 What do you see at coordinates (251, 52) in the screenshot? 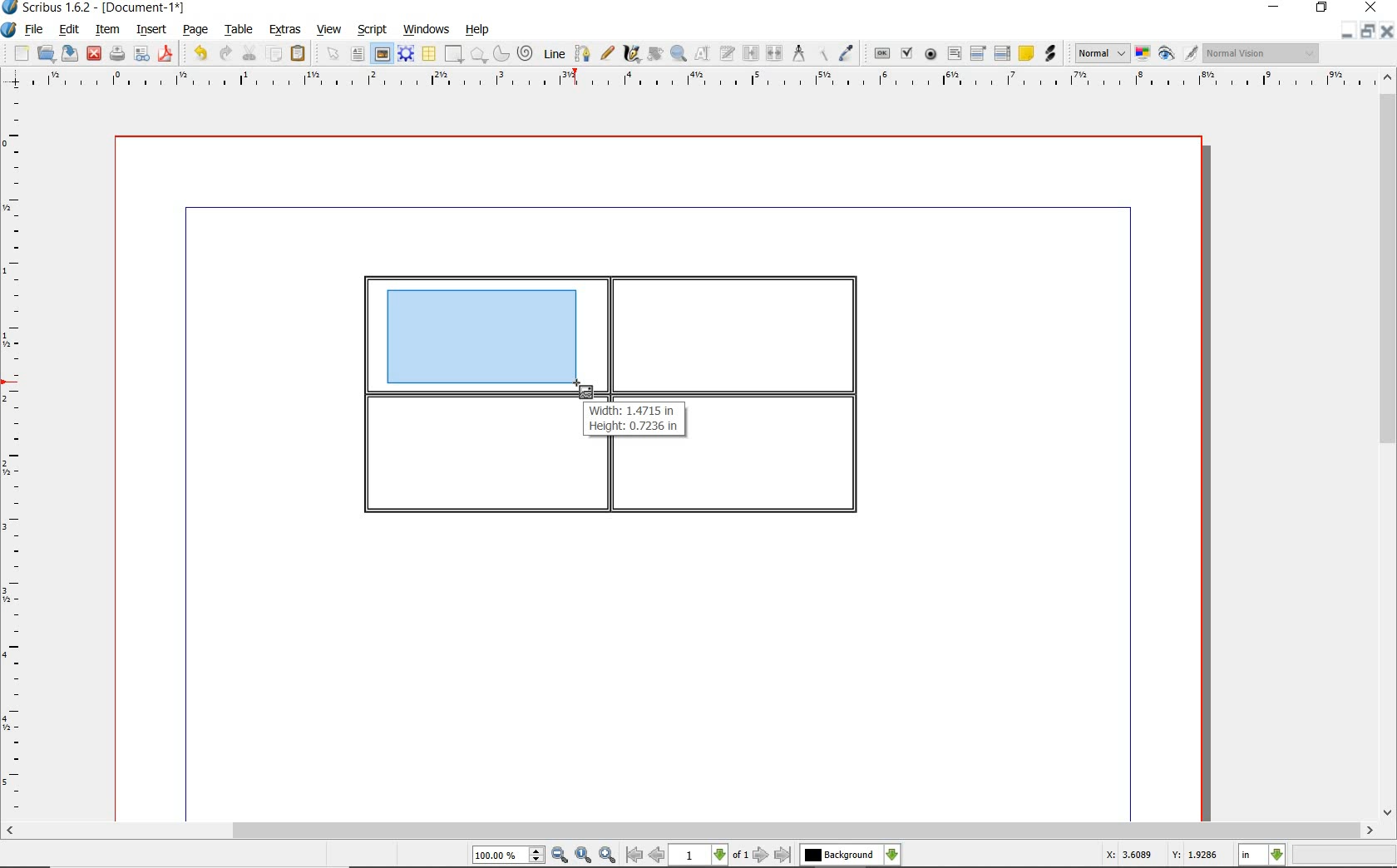
I see `cut` at bounding box center [251, 52].